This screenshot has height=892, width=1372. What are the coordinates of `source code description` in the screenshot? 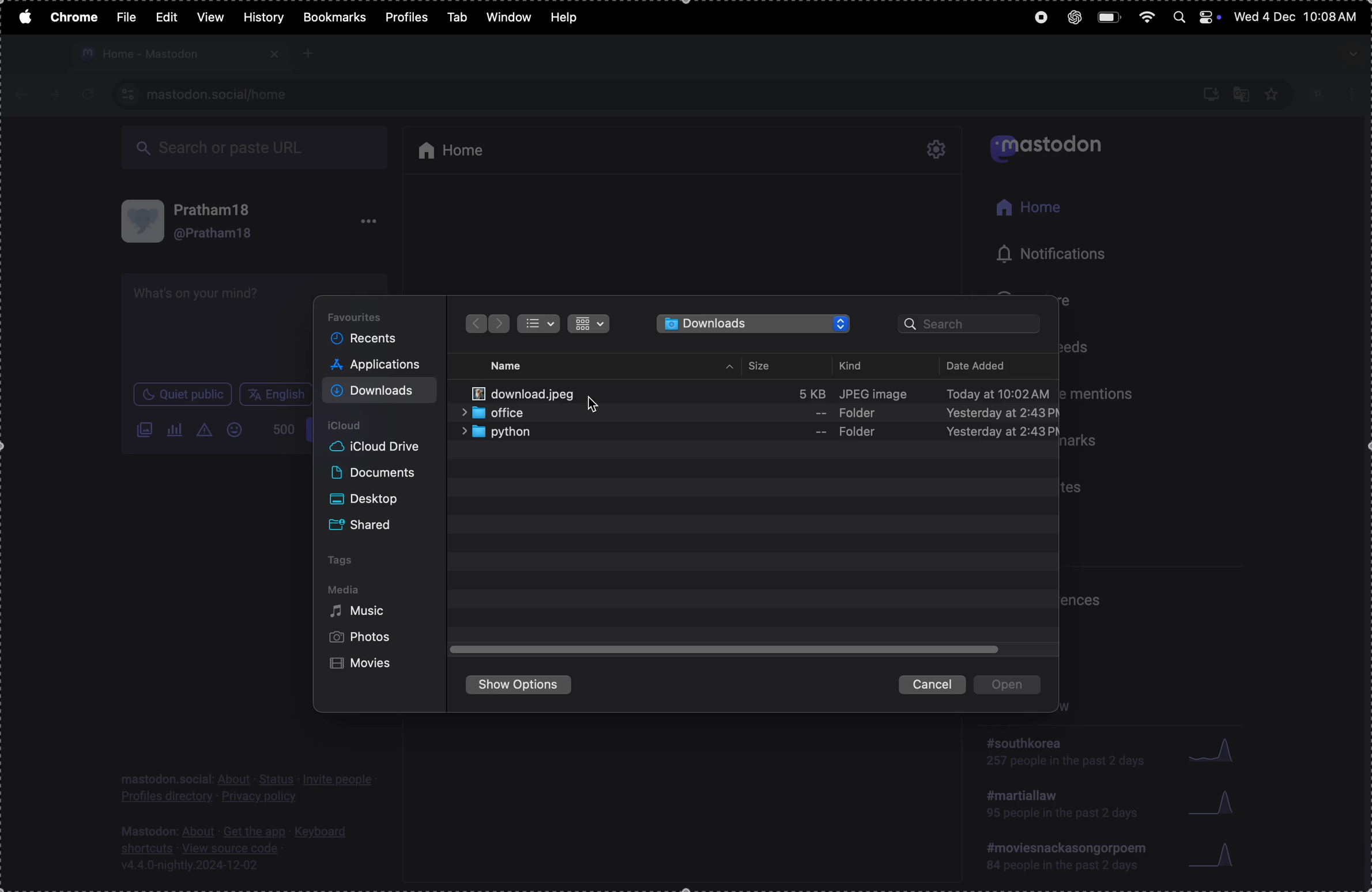 It's located at (238, 848).